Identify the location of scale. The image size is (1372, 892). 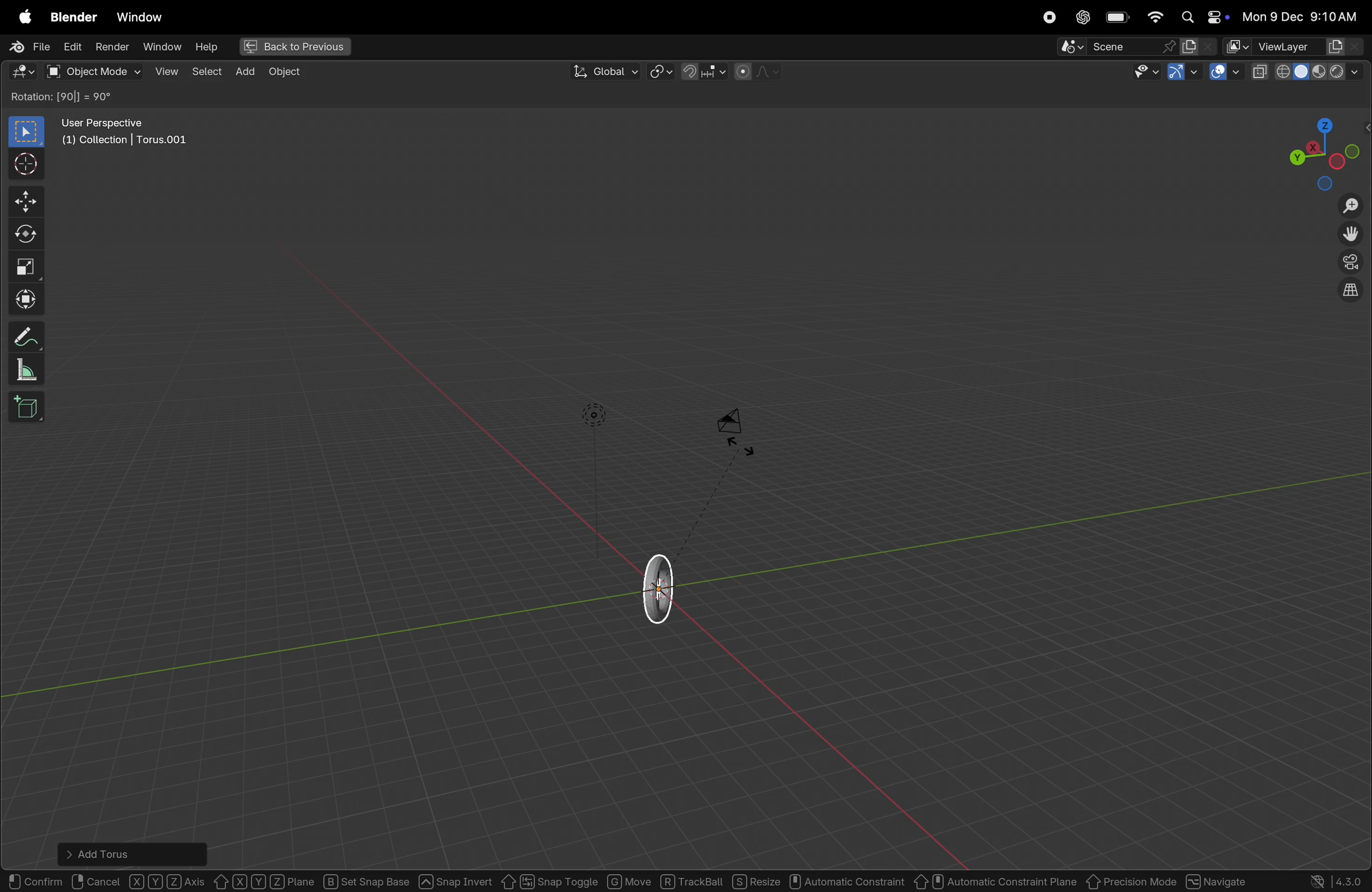
(28, 266).